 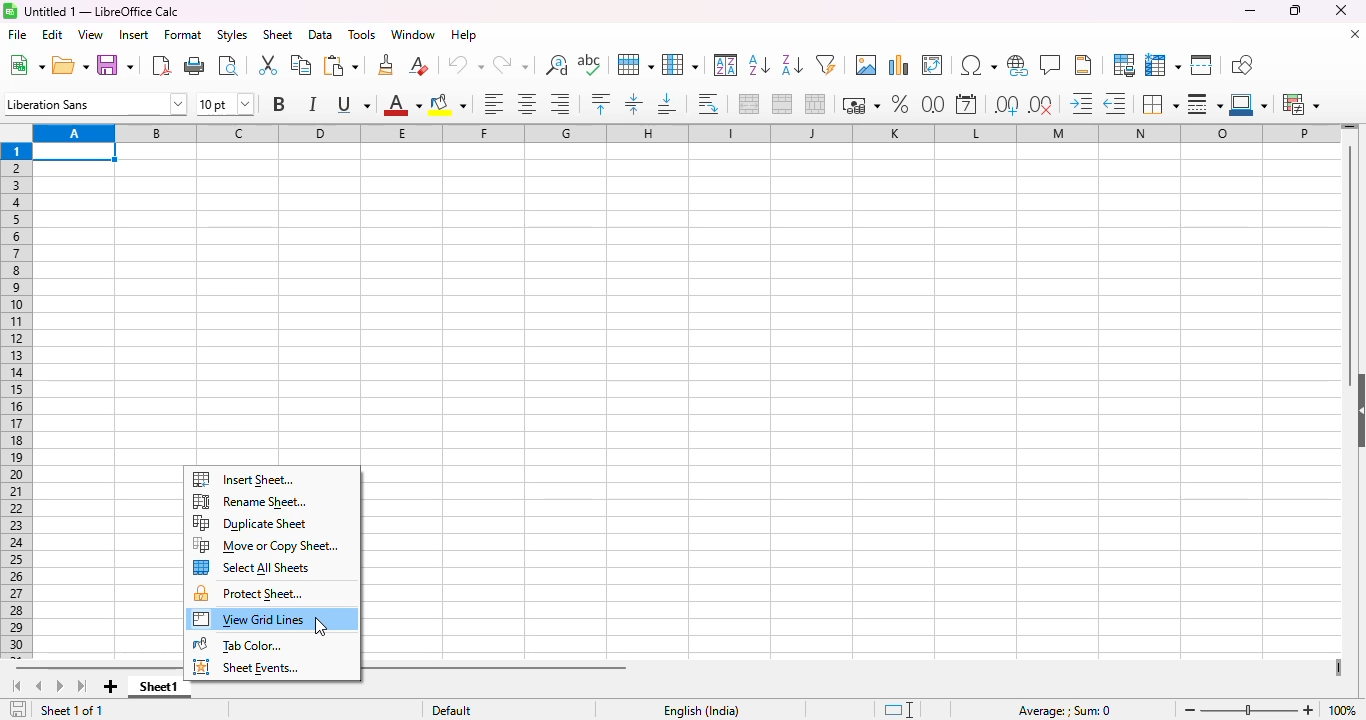 What do you see at coordinates (90, 34) in the screenshot?
I see `view` at bounding box center [90, 34].